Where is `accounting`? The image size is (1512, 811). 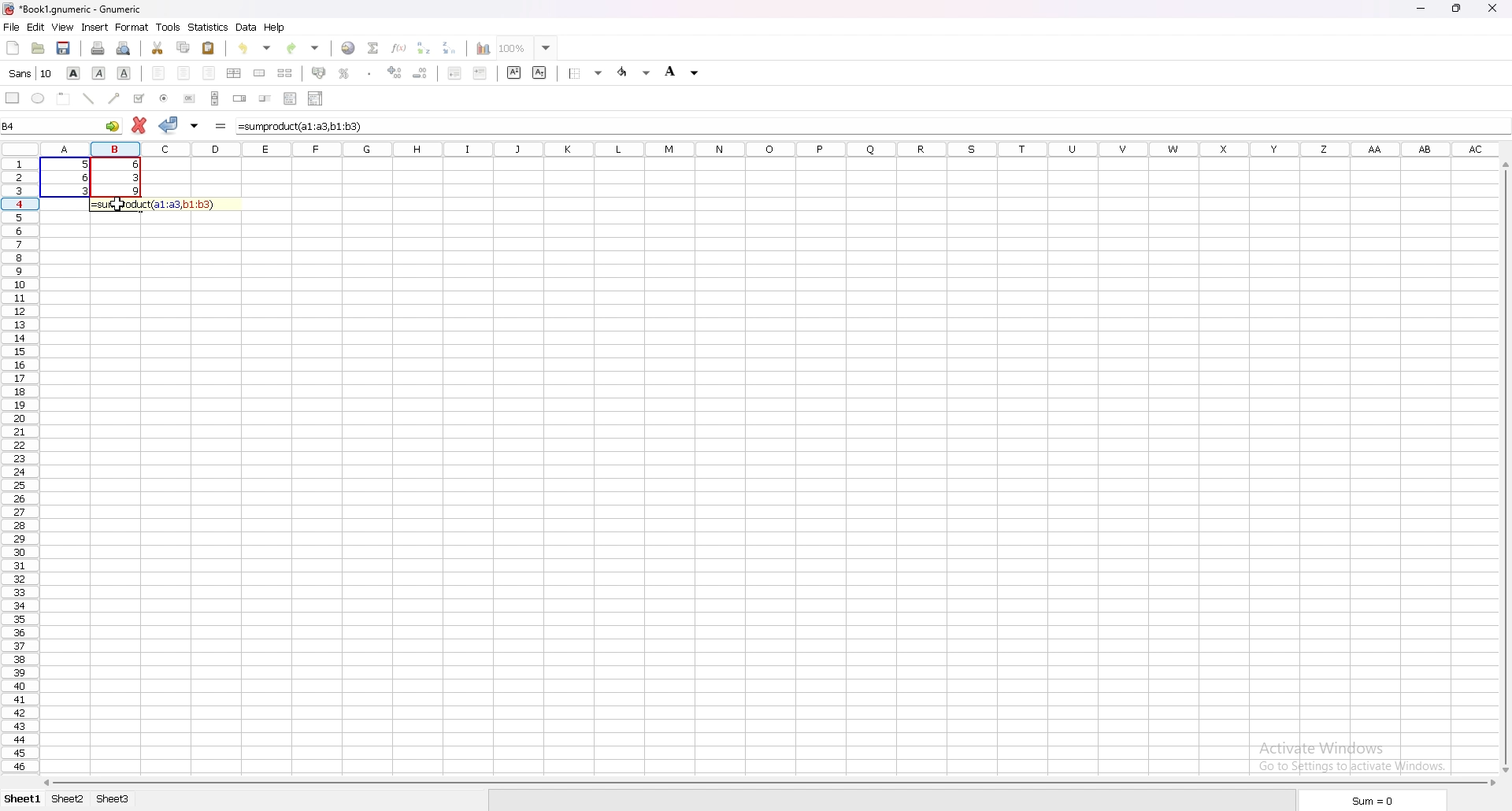 accounting is located at coordinates (318, 72).